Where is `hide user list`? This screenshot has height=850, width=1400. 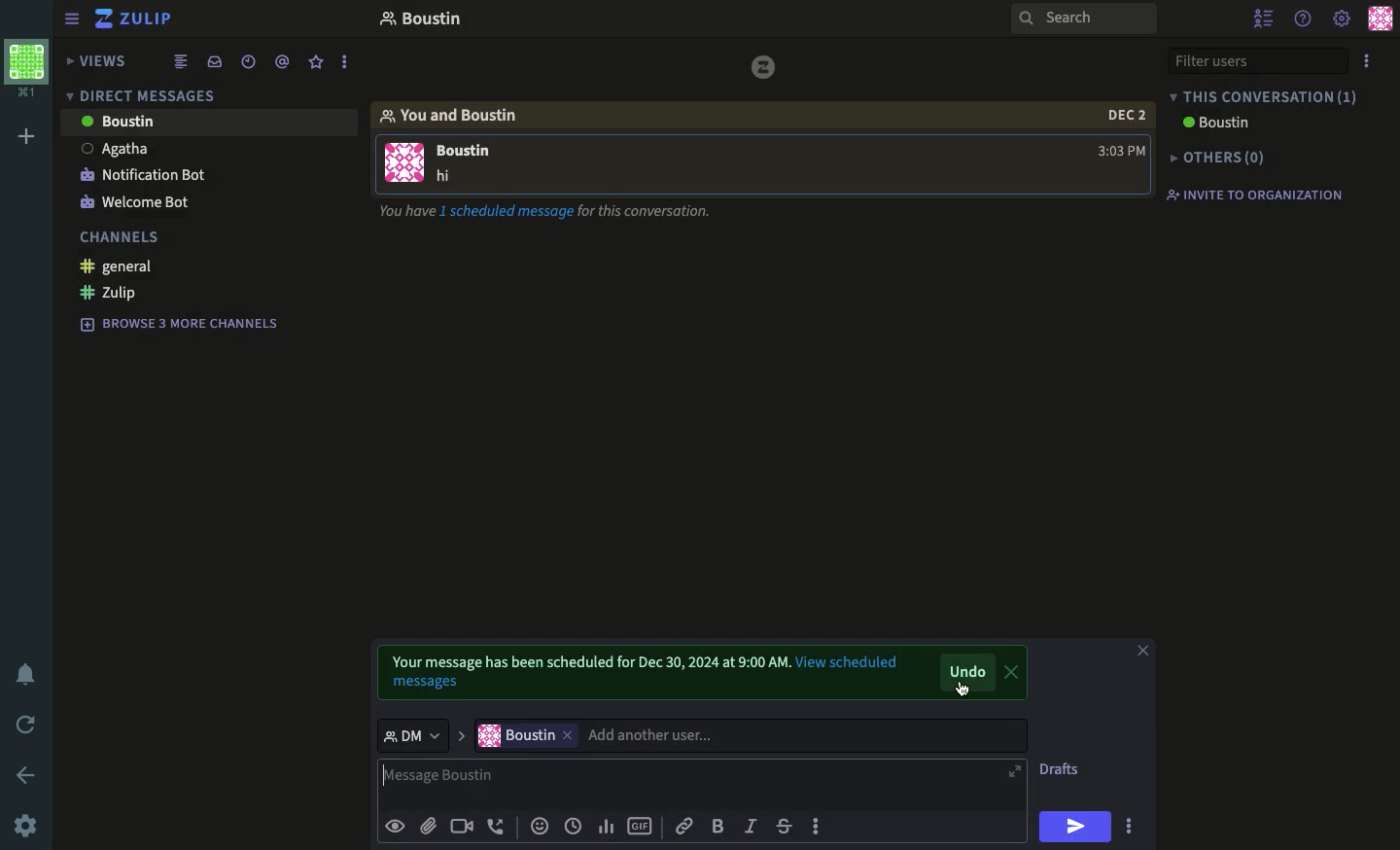 hide user list is located at coordinates (1264, 18).